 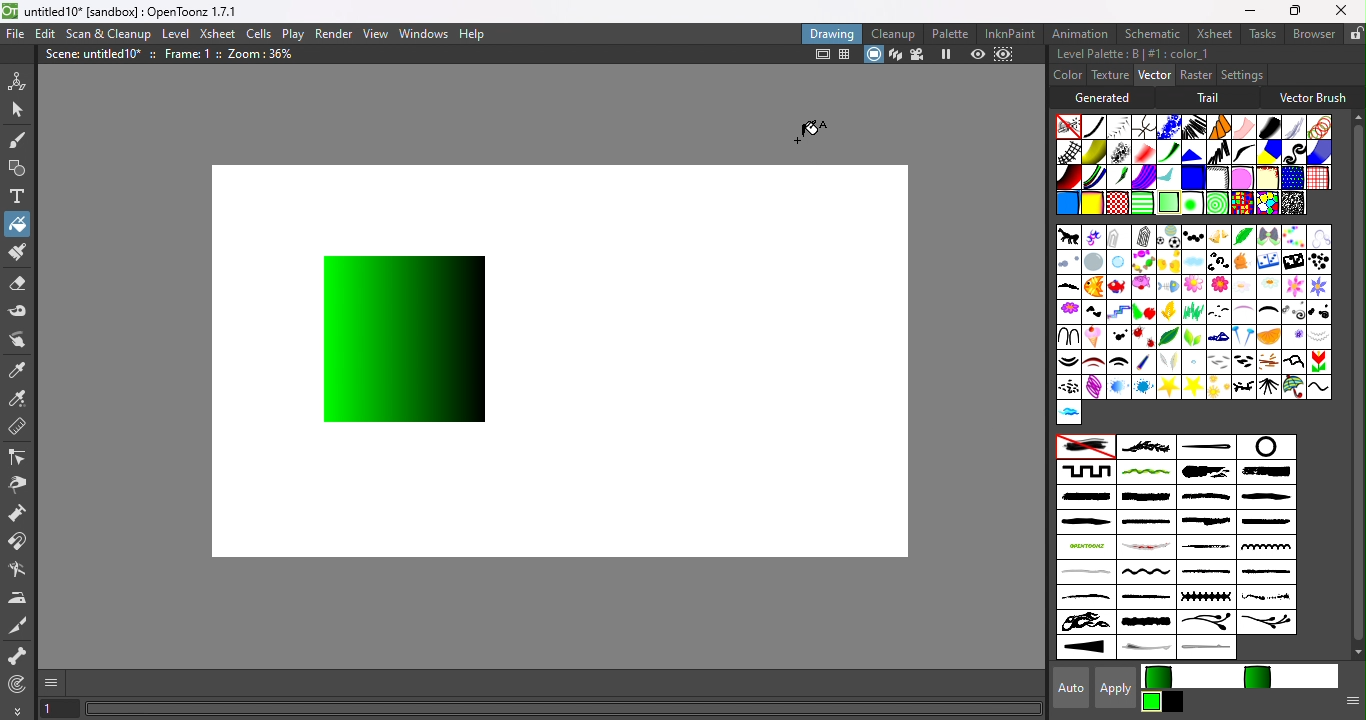 What do you see at coordinates (1095, 336) in the screenshot?
I see `icecream` at bounding box center [1095, 336].